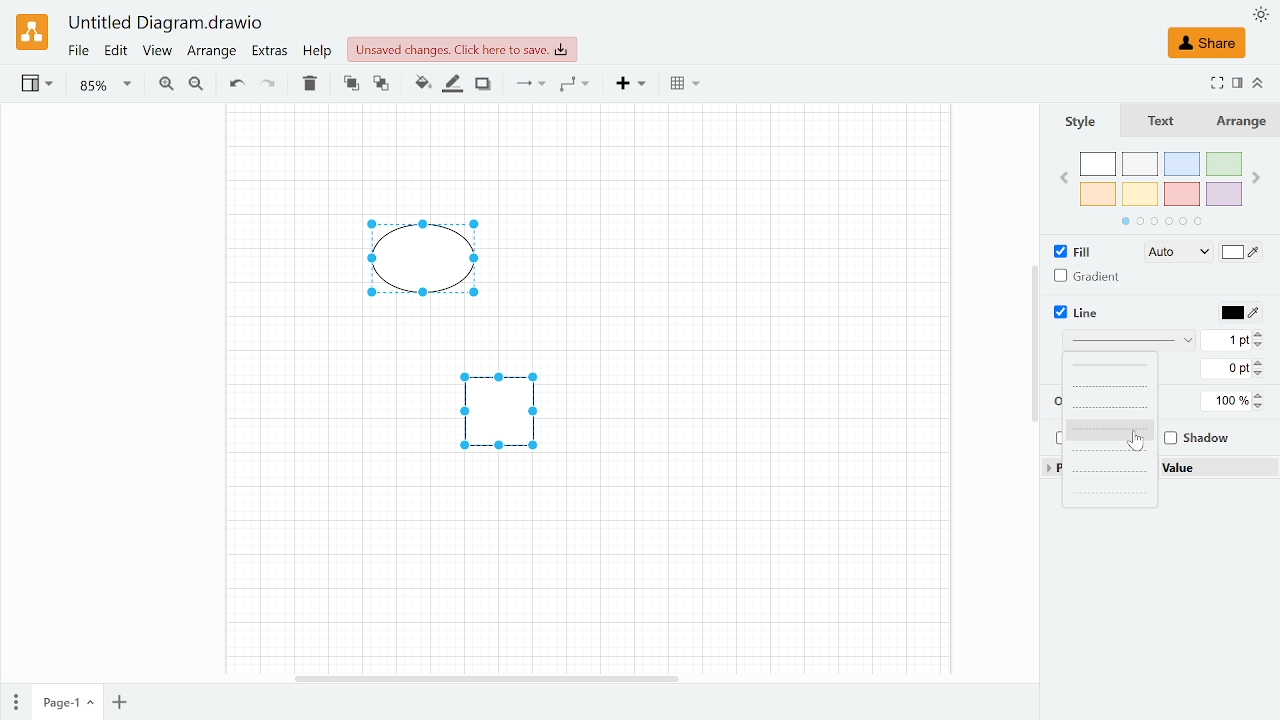 This screenshot has height=720, width=1280. I want to click on , so click(1079, 251).